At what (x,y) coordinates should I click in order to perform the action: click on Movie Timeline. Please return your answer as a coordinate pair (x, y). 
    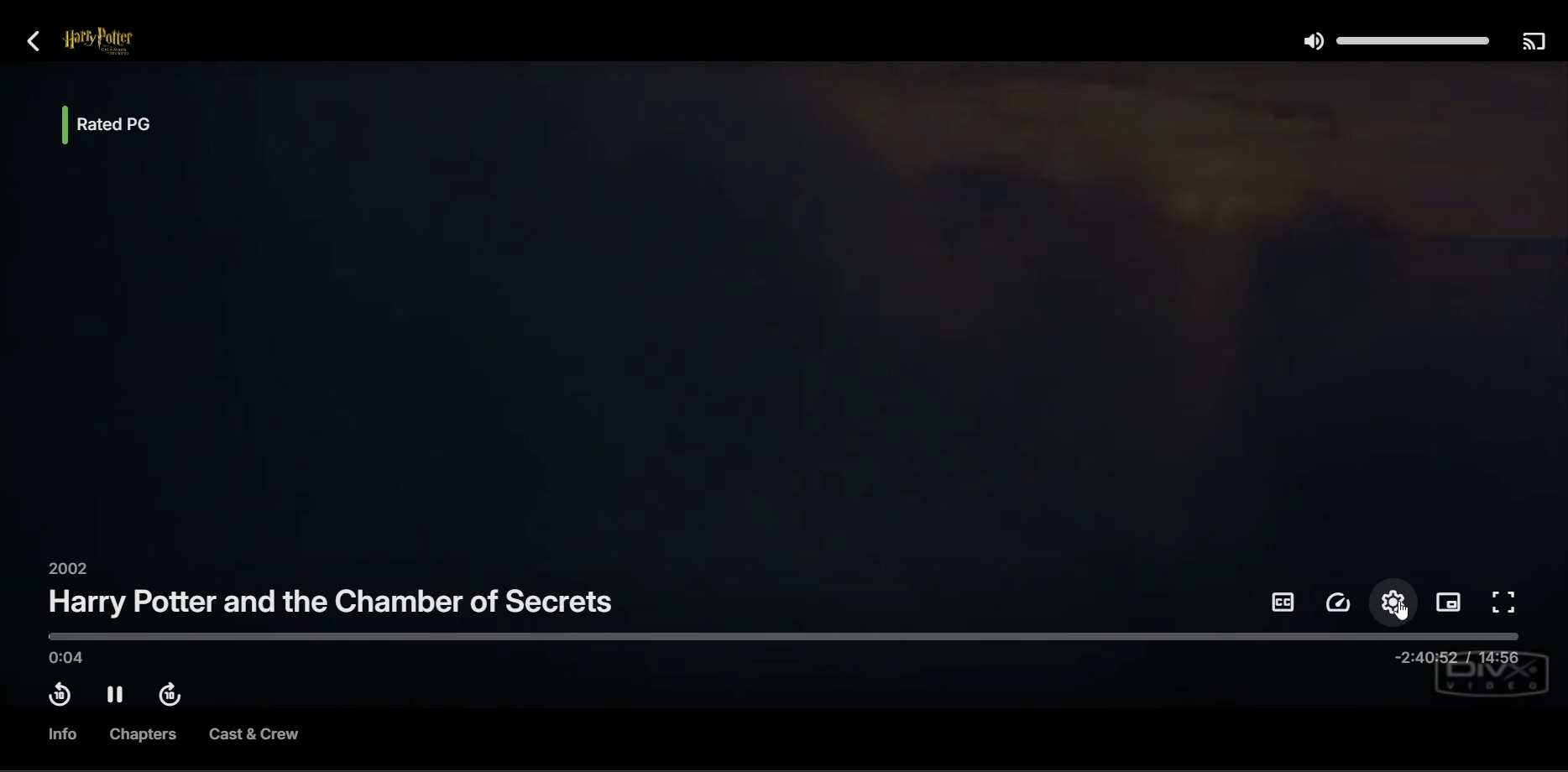
    Looking at the image, I should click on (777, 637).